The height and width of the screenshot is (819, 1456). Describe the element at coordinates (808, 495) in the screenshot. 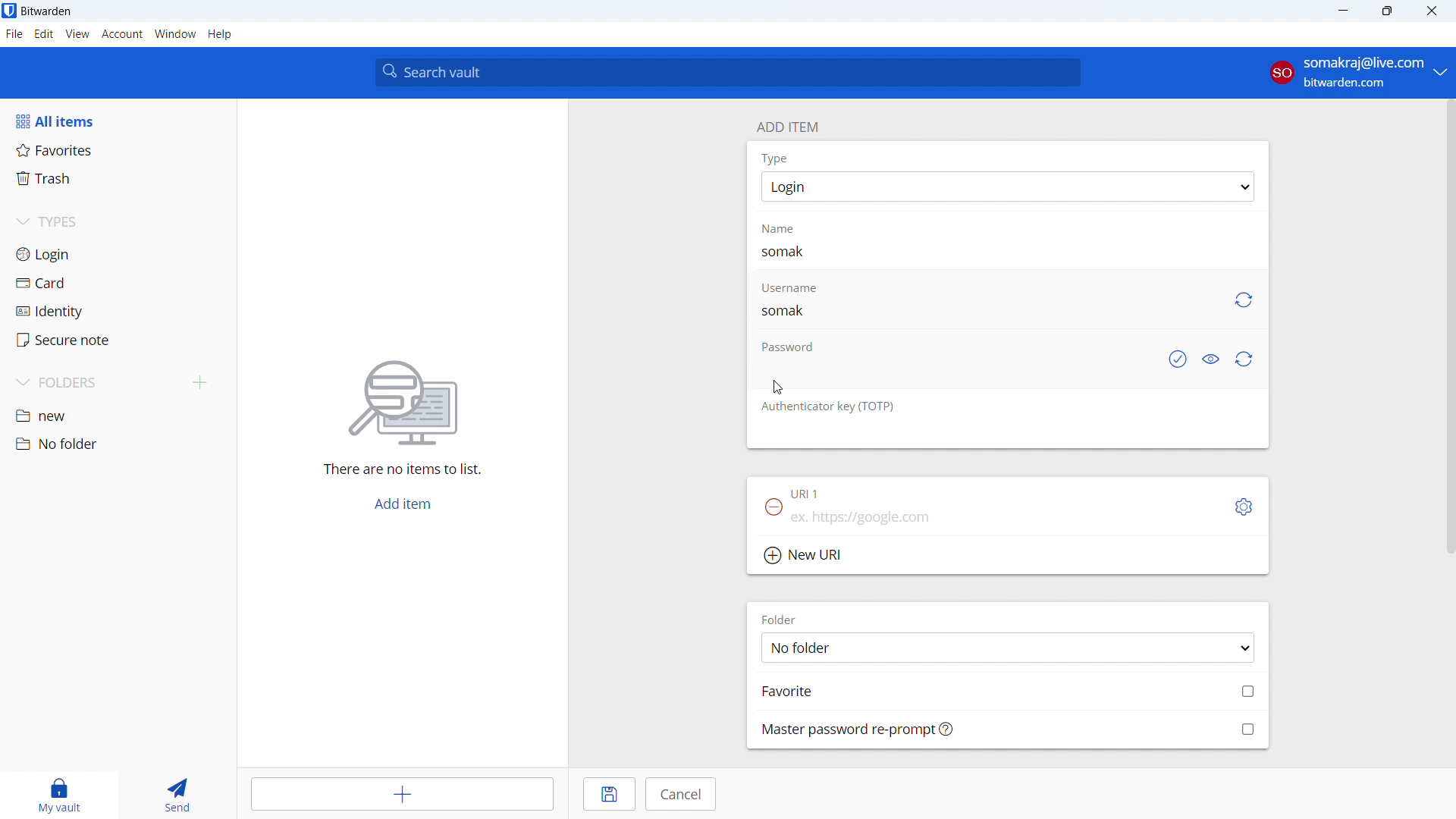

I see `URL 1` at that location.